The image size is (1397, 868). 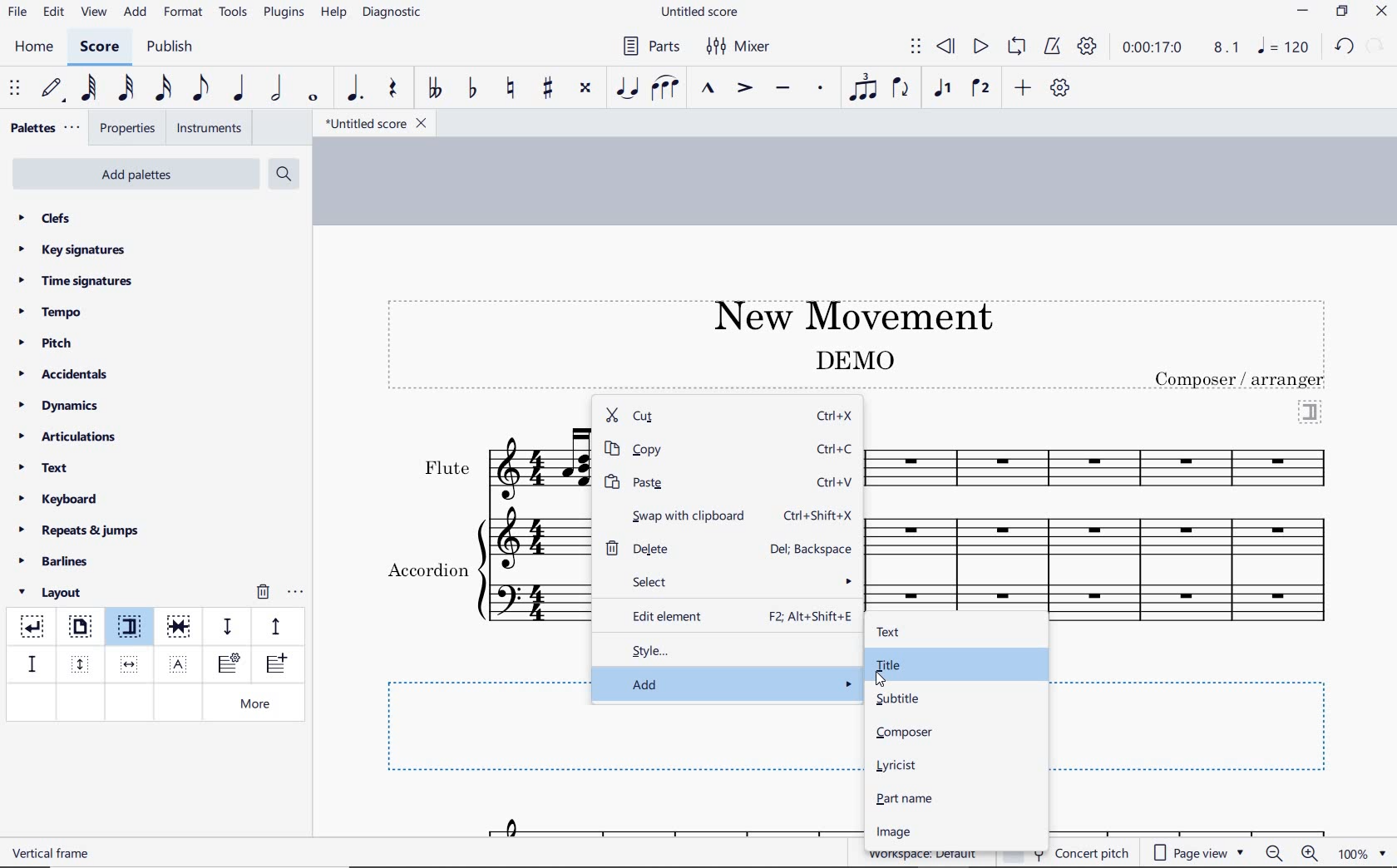 What do you see at coordinates (1051, 47) in the screenshot?
I see `metronome` at bounding box center [1051, 47].